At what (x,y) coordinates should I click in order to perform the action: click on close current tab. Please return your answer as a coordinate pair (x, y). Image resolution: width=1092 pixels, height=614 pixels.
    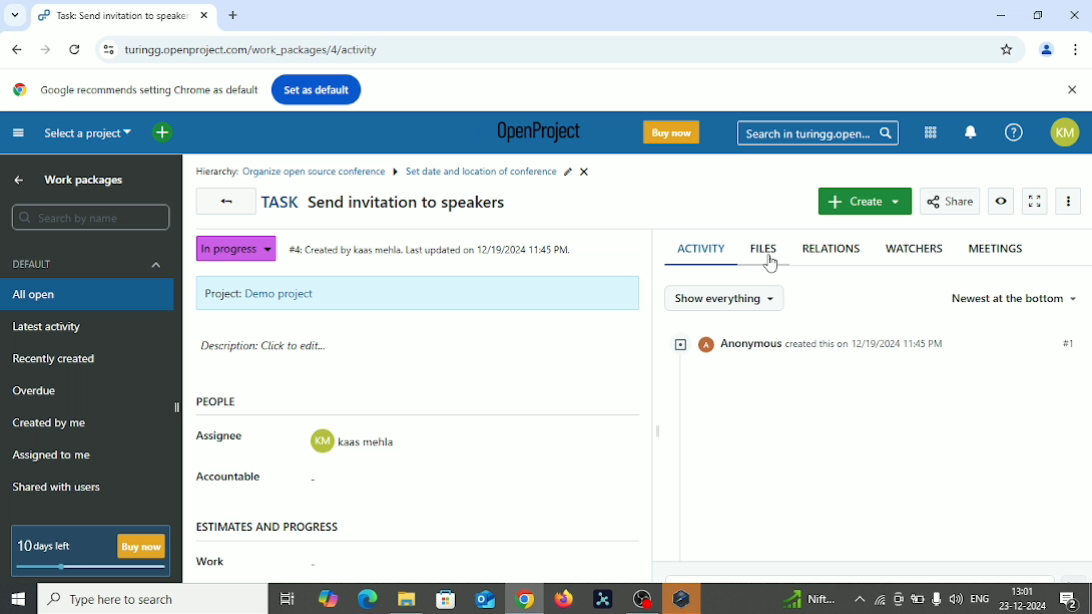
    Looking at the image, I should click on (203, 17).